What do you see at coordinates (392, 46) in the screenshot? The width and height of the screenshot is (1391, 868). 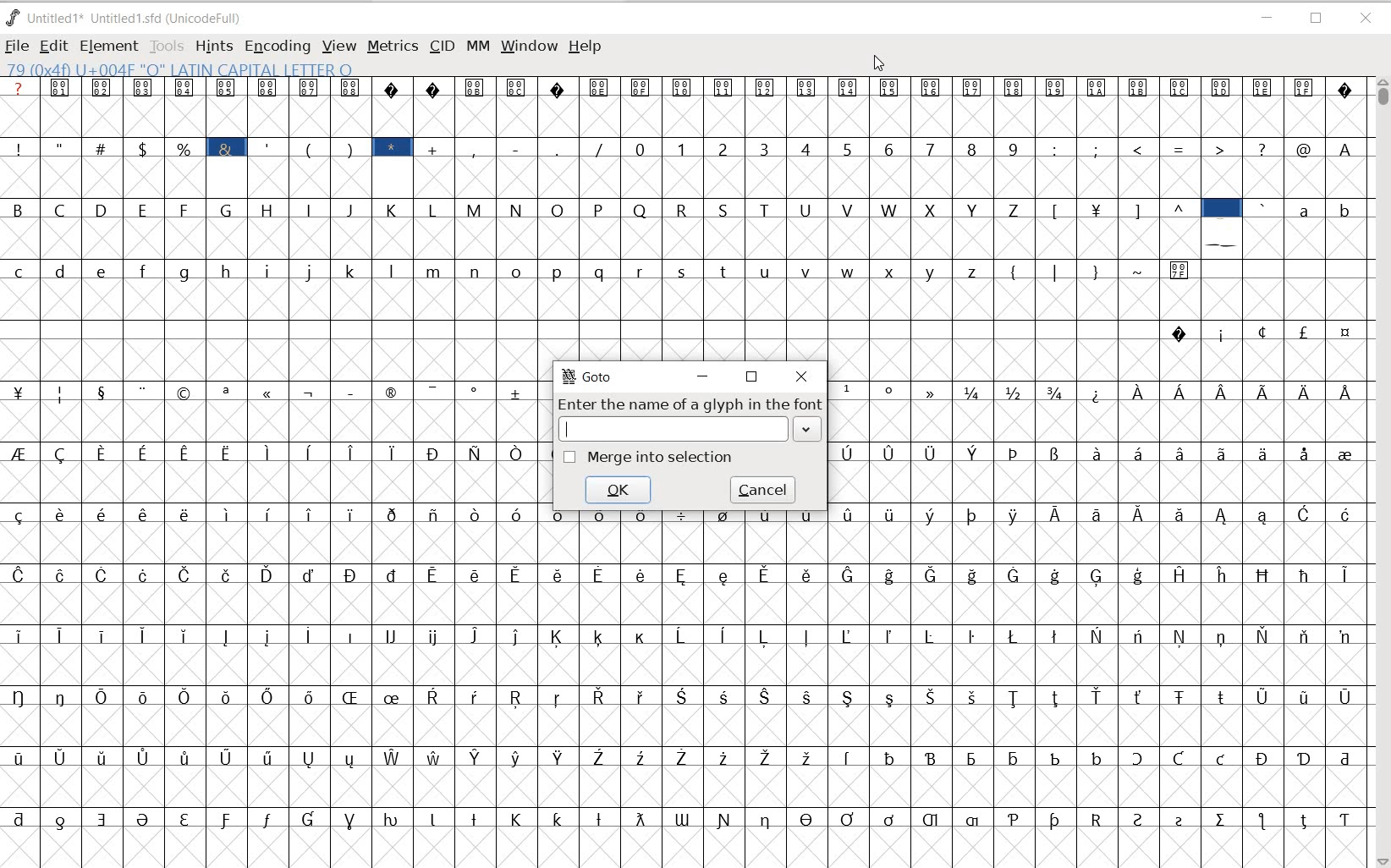 I see `METRICS` at bounding box center [392, 46].